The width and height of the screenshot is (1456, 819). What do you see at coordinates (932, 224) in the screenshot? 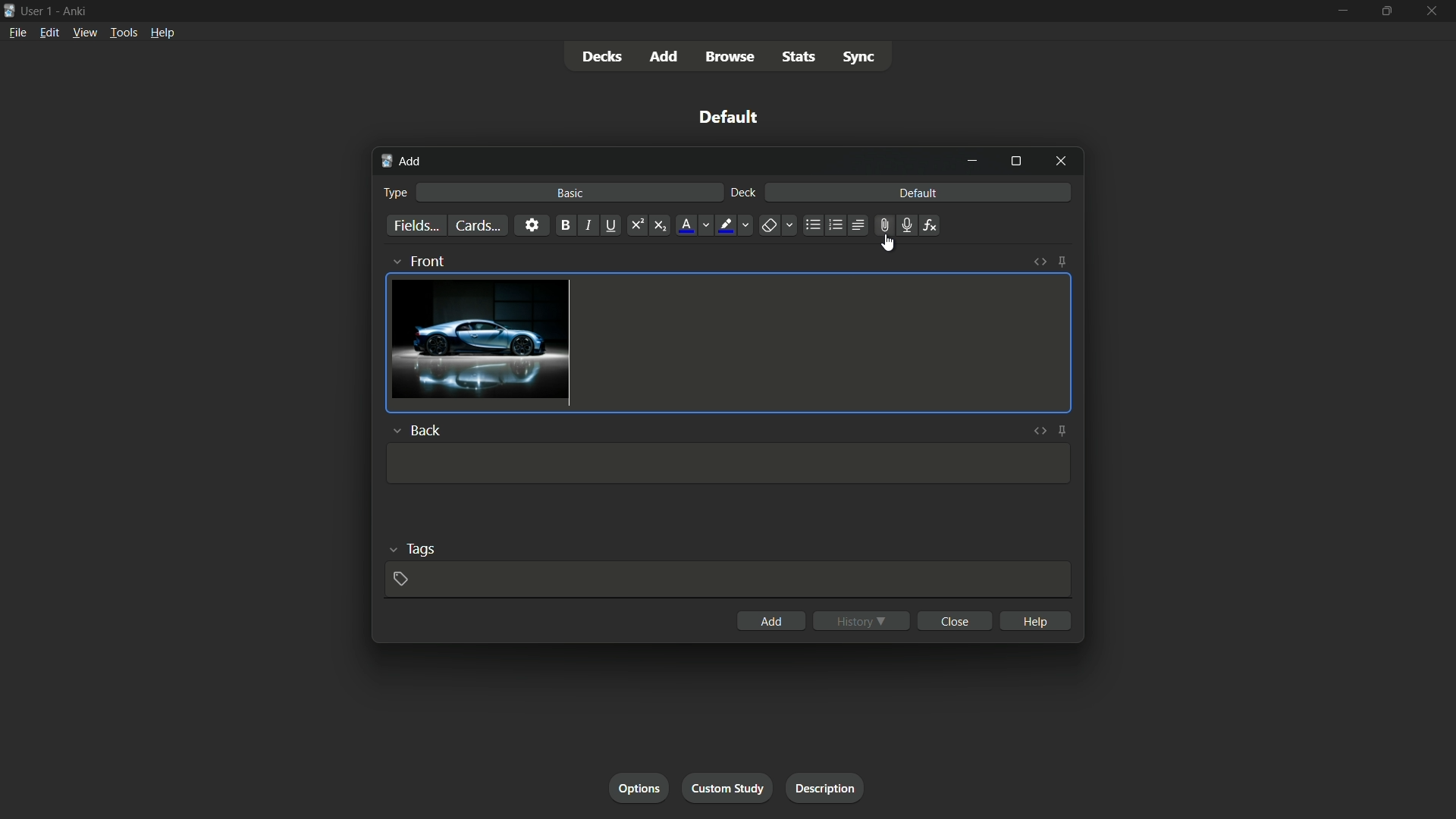
I see `equation` at bounding box center [932, 224].